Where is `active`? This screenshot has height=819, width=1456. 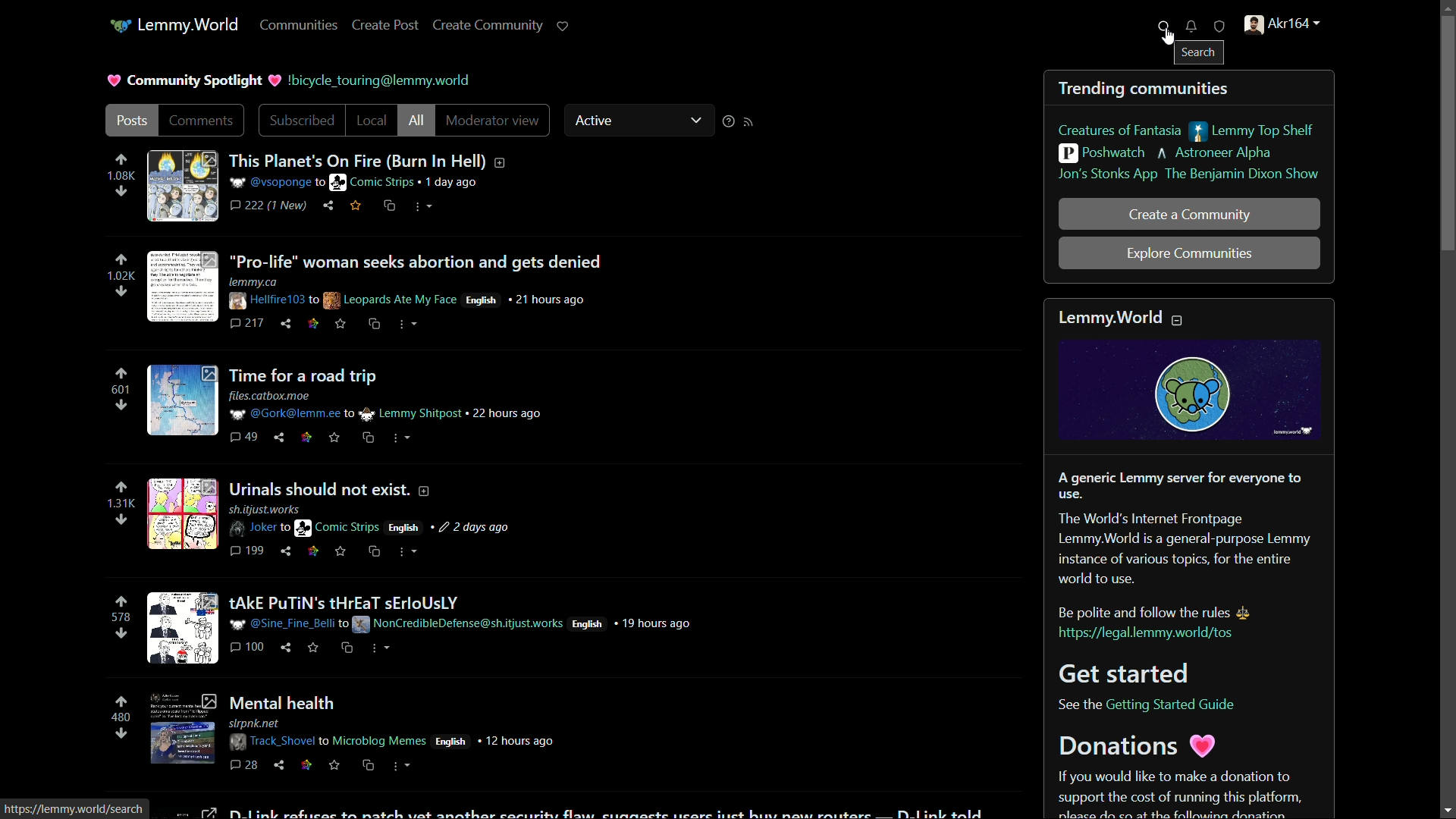
active is located at coordinates (594, 120).